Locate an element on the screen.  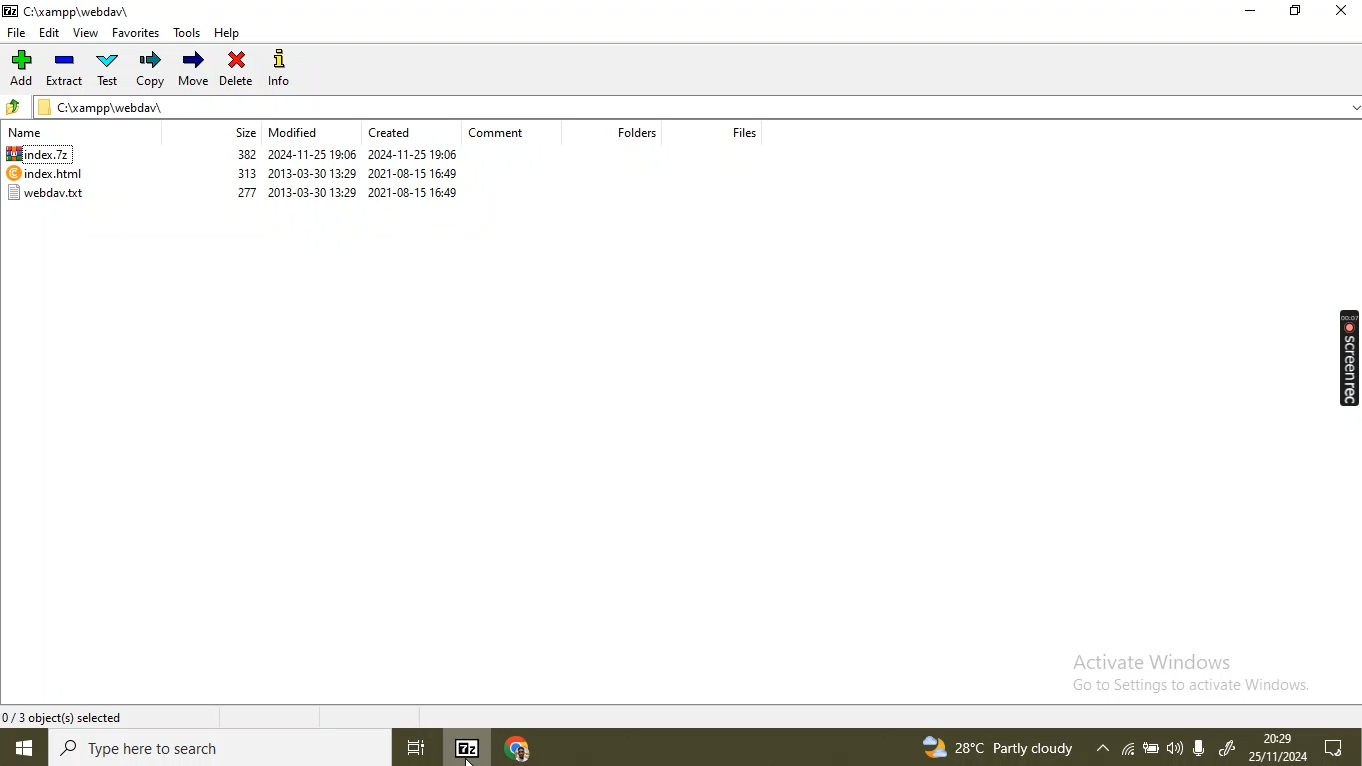
favorites is located at coordinates (137, 31).